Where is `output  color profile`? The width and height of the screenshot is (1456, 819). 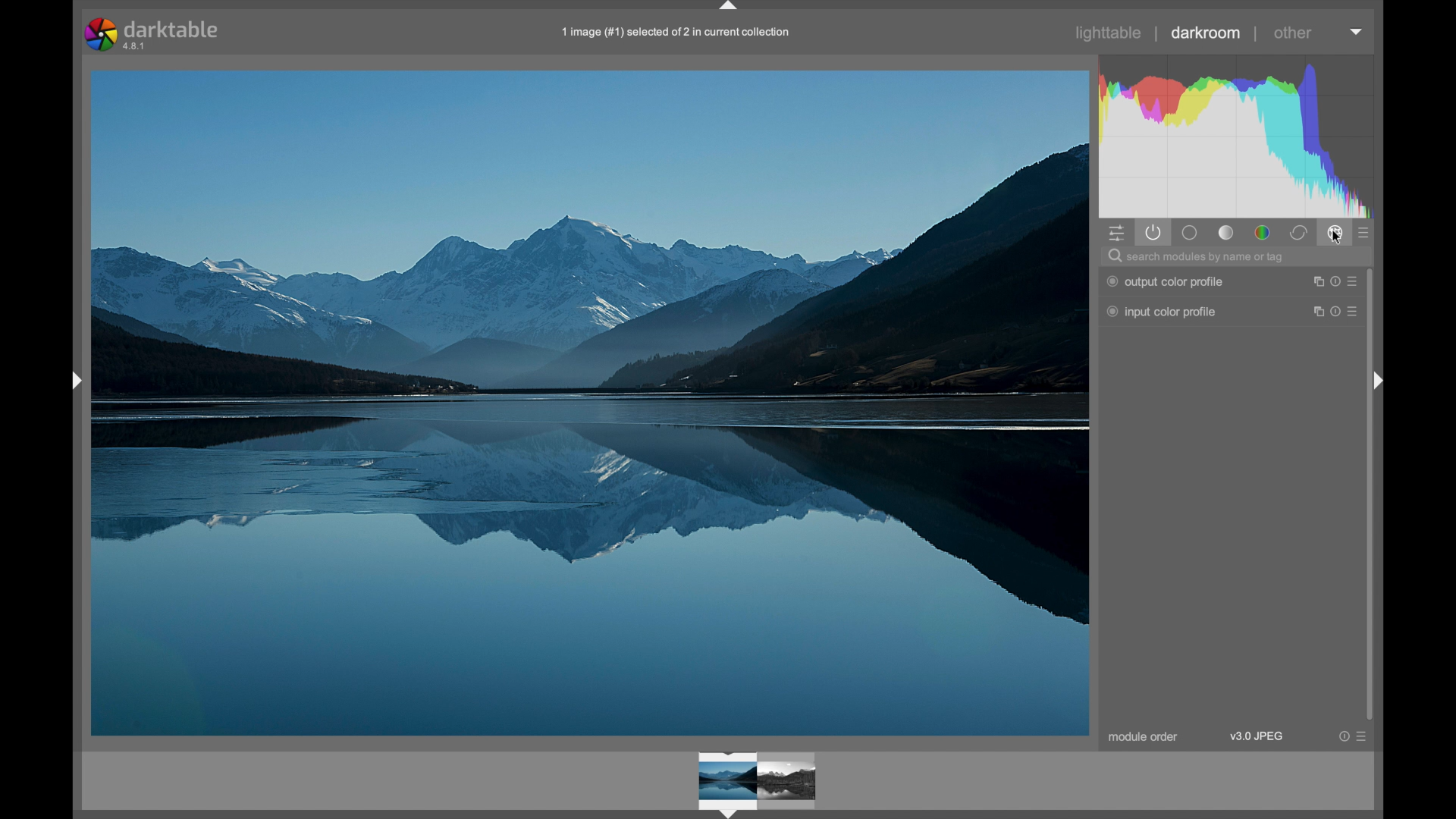 output  color profile is located at coordinates (1166, 281).